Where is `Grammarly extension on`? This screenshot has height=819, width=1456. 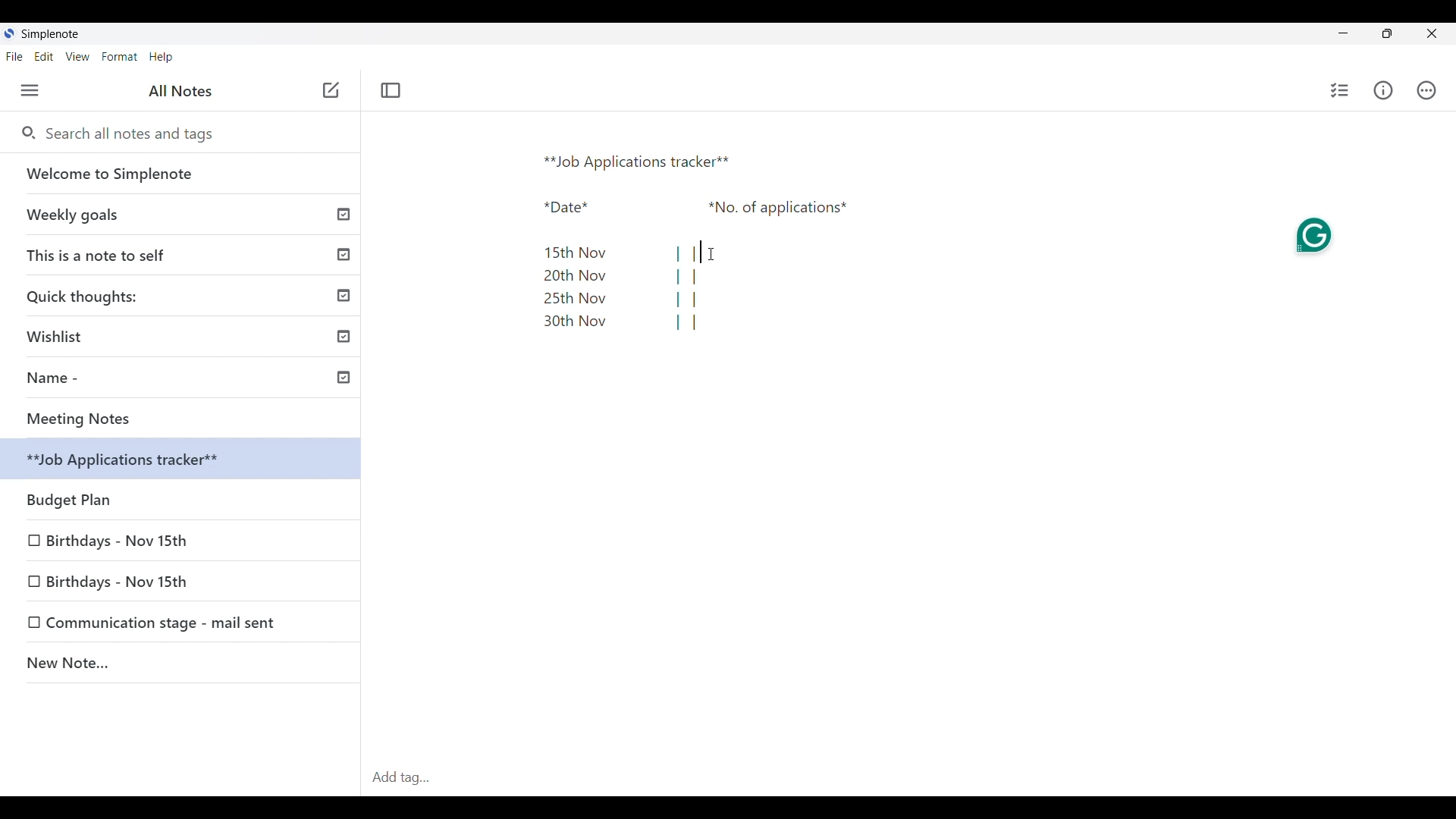 Grammarly extension on is located at coordinates (1316, 234).